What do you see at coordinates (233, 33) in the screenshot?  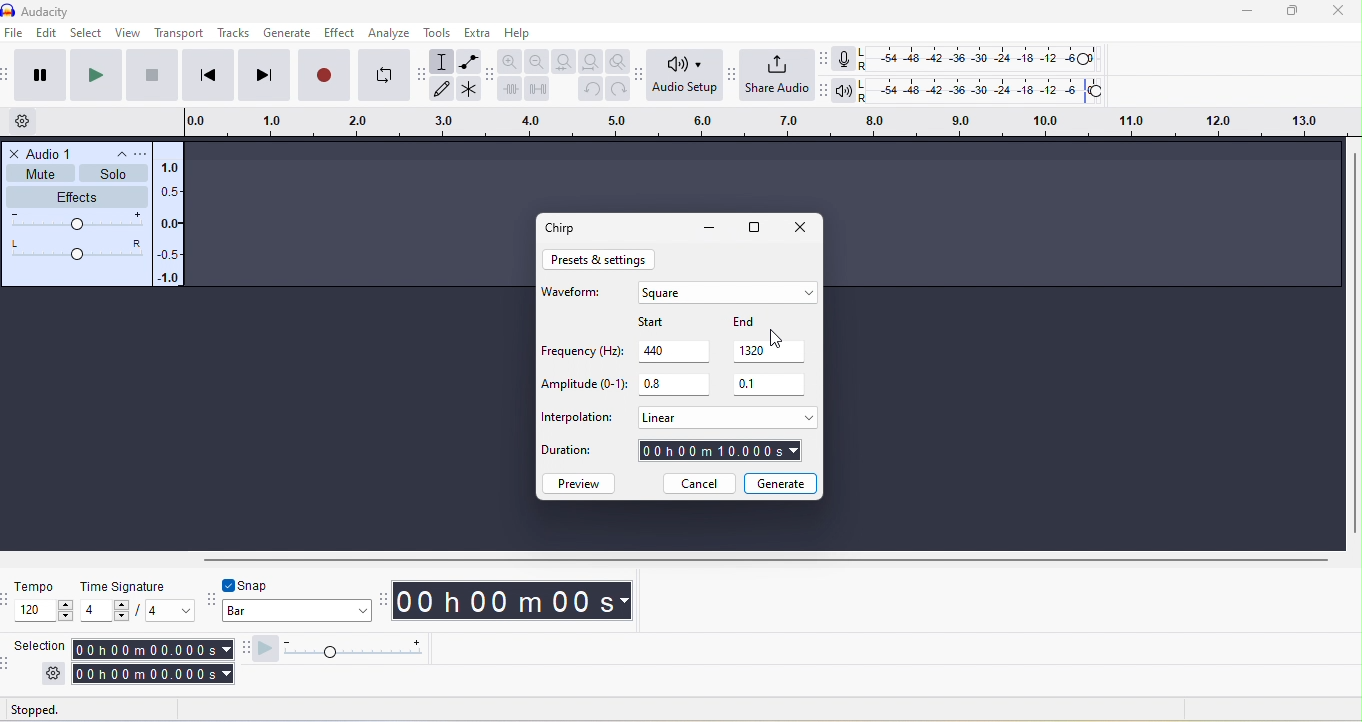 I see `tracks` at bounding box center [233, 33].